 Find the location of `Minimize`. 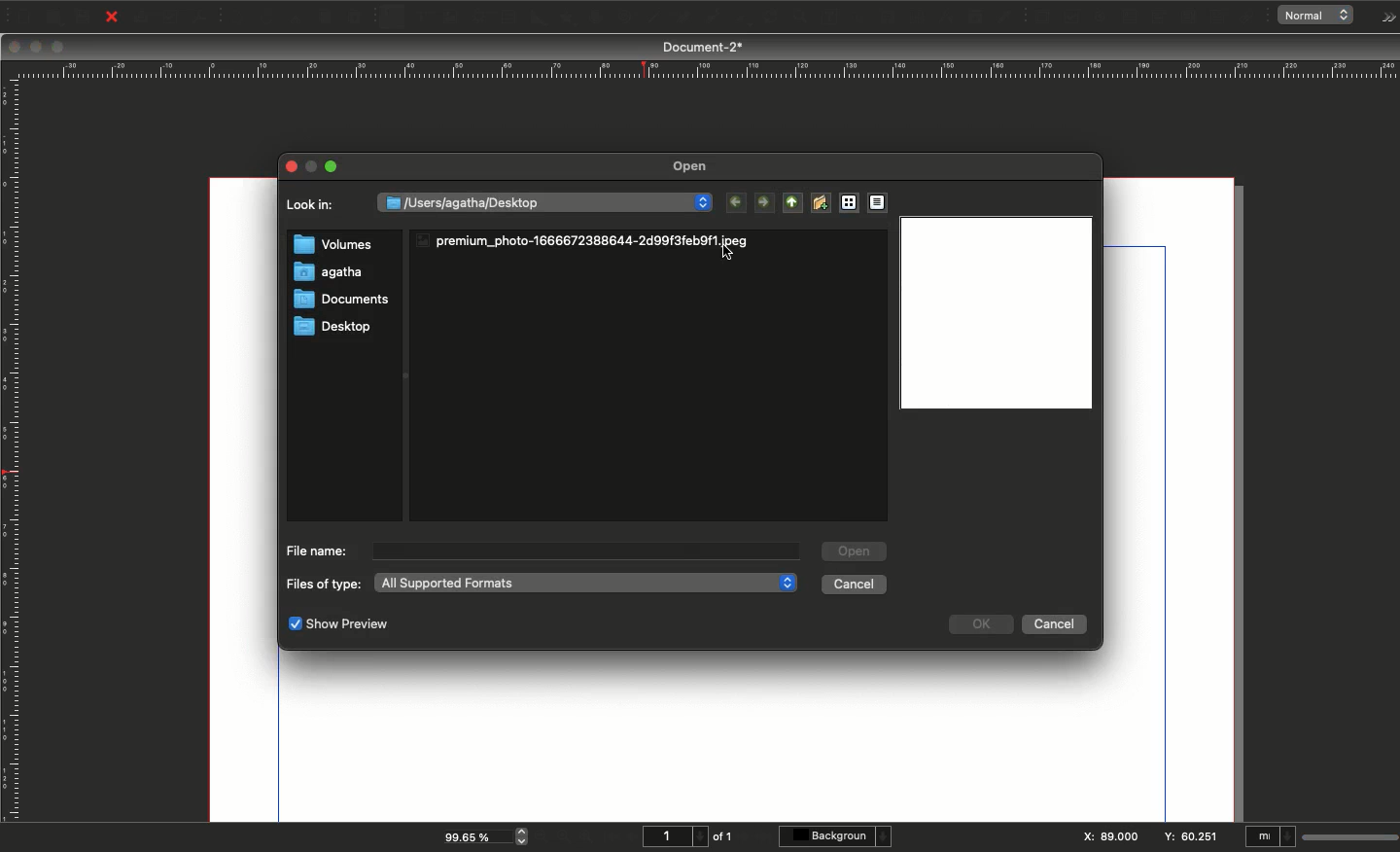

Minimize is located at coordinates (335, 166).